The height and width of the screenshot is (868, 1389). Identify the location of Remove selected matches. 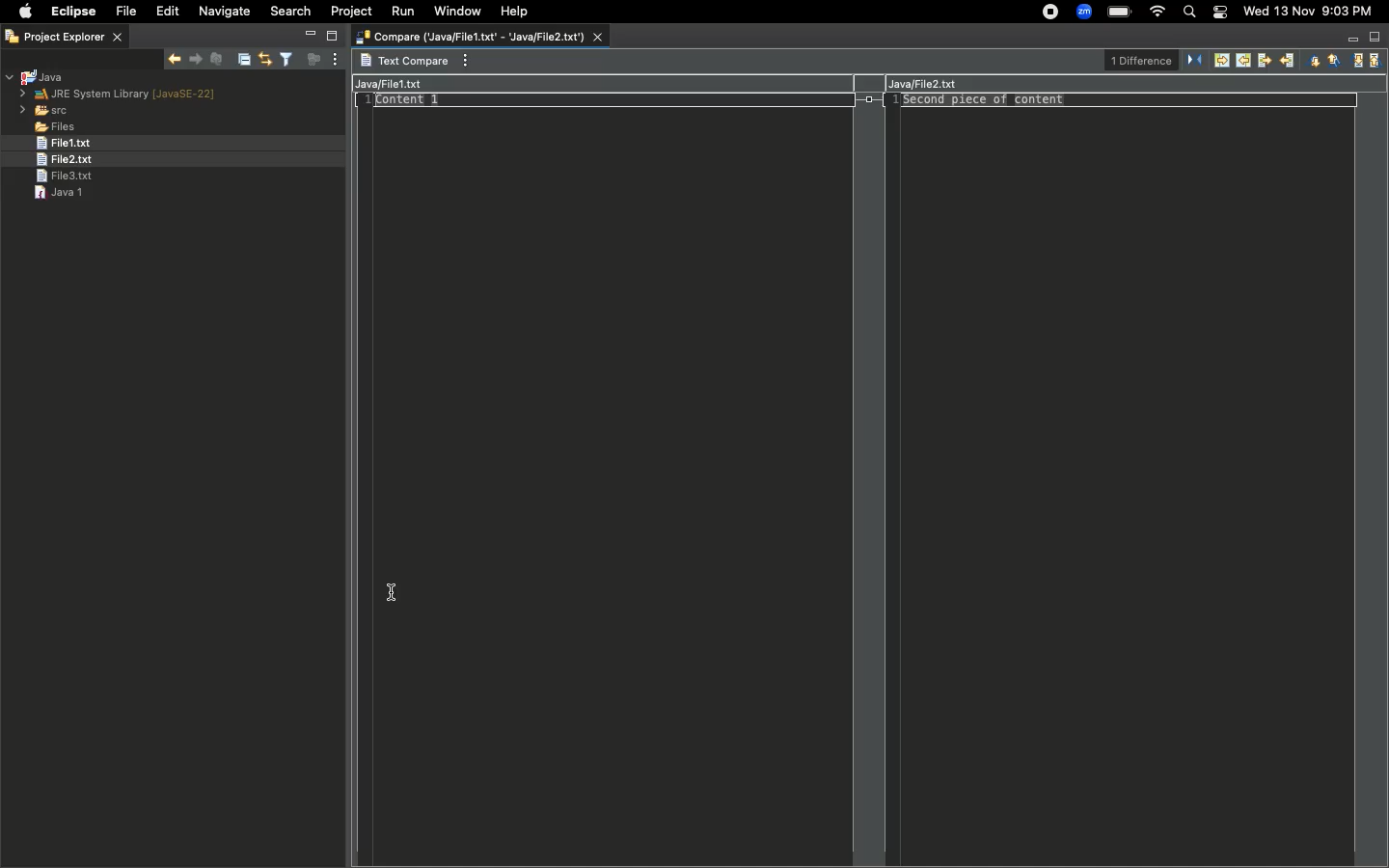
(216, 58).